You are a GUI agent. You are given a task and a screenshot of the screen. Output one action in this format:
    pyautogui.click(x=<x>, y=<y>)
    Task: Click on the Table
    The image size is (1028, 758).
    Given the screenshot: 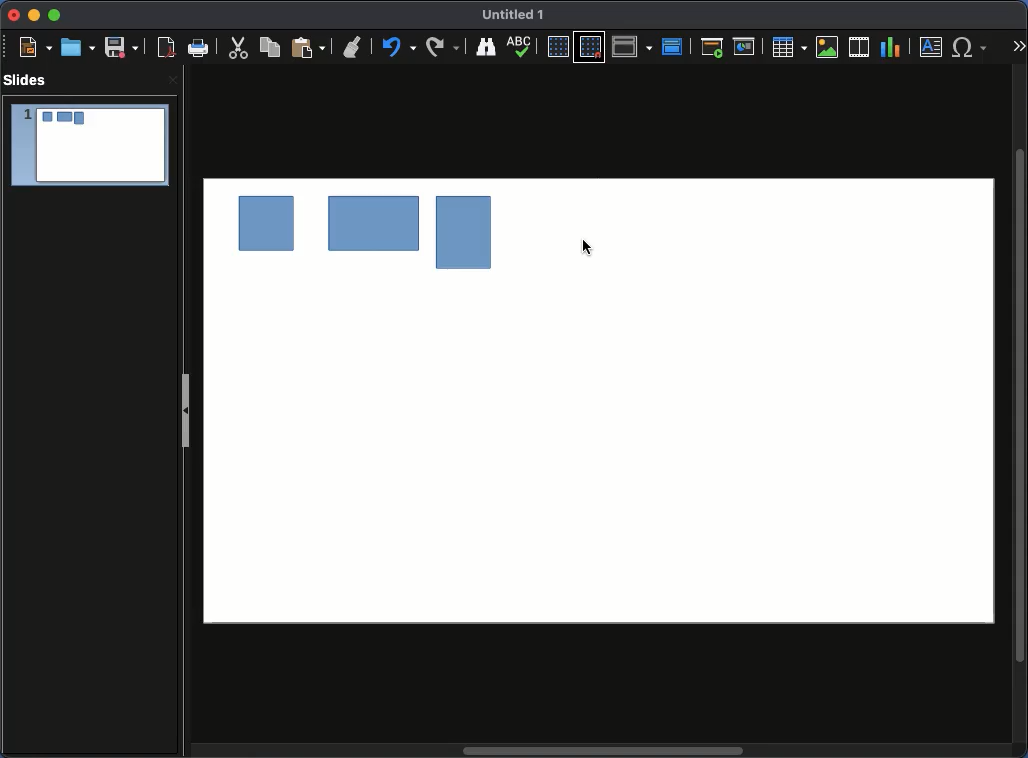 What is the action you would take?
    pyautogui.click(x=790, y=47)
    